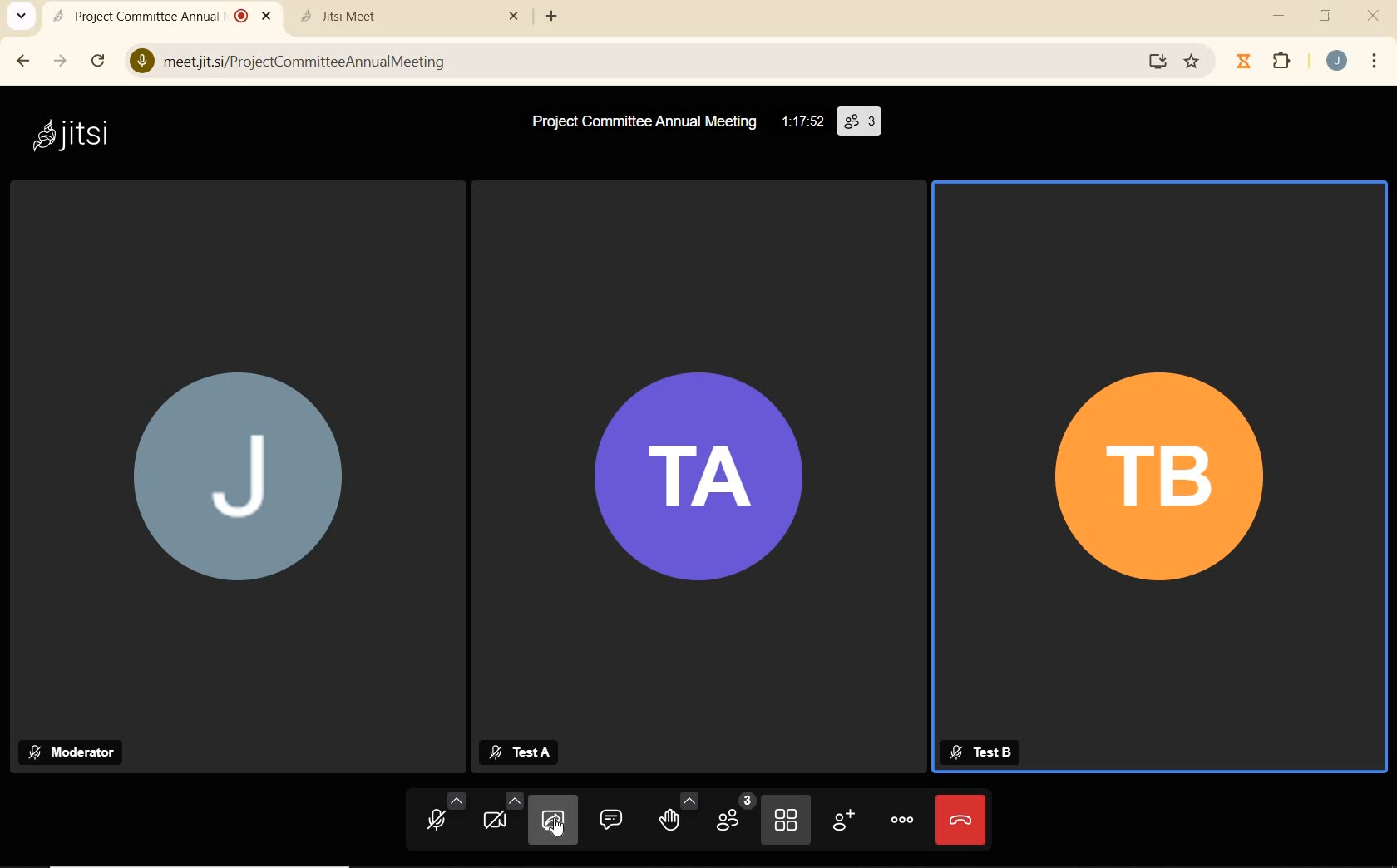 The image size is (1397, 868). Describe the element at coordinates (501, 820) in the screenshot. I see `CAMERA` at that location.